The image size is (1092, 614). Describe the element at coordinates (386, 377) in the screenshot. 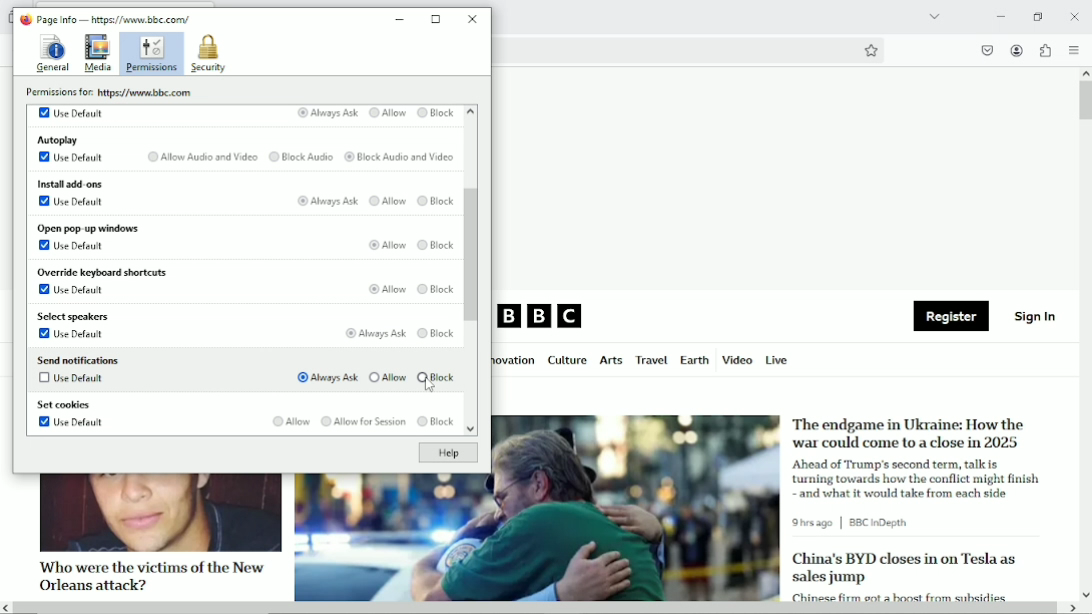

I see `Allow` at that location.